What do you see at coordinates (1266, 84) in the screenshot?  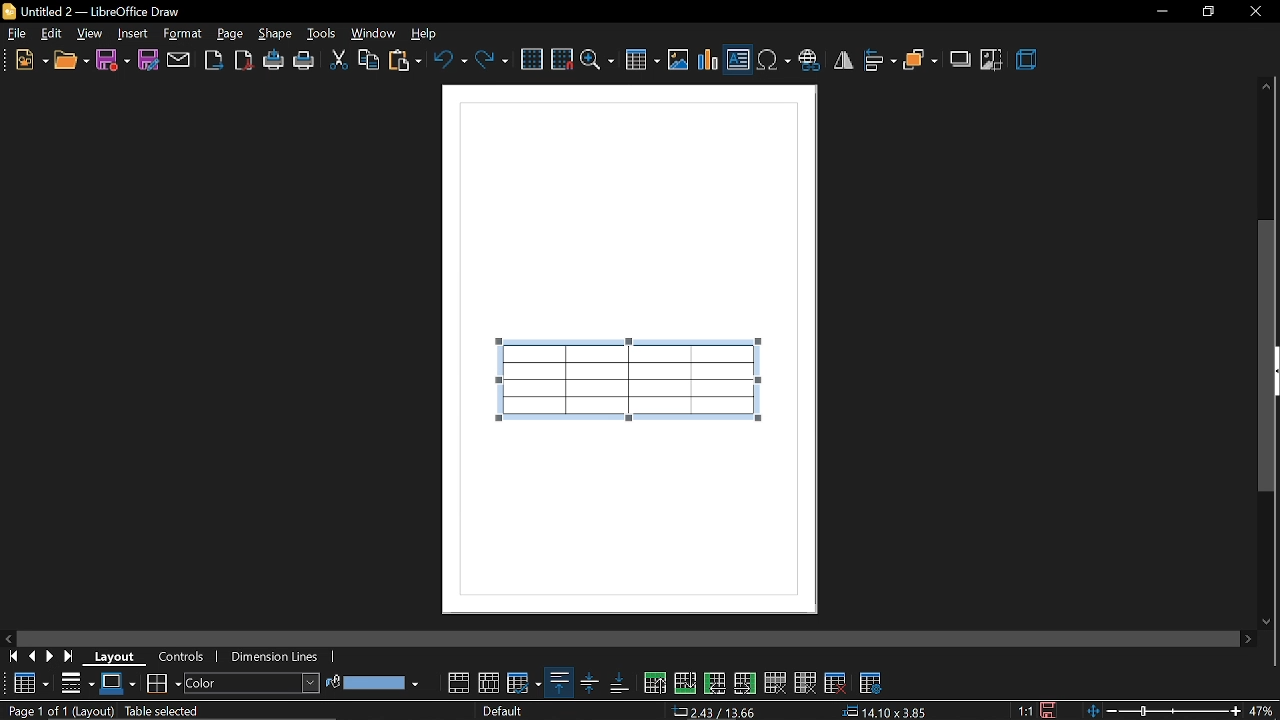 I see `Move up` at bounding box center [1266, 84].